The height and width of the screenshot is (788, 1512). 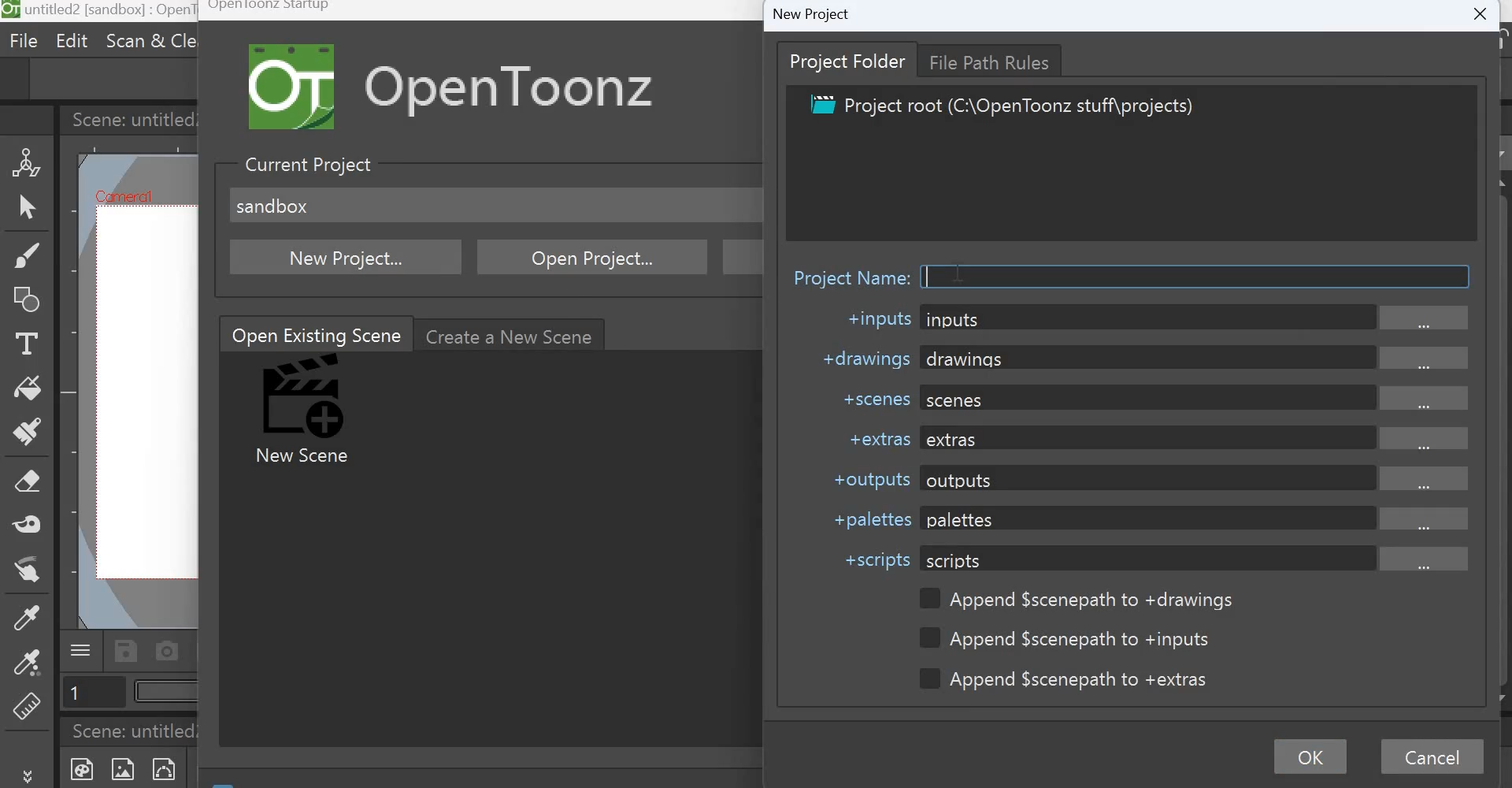 What do you see at coordinates (1437, 758) in the screenshot?
I see `Cancel` at bounding box center [1437, 758].